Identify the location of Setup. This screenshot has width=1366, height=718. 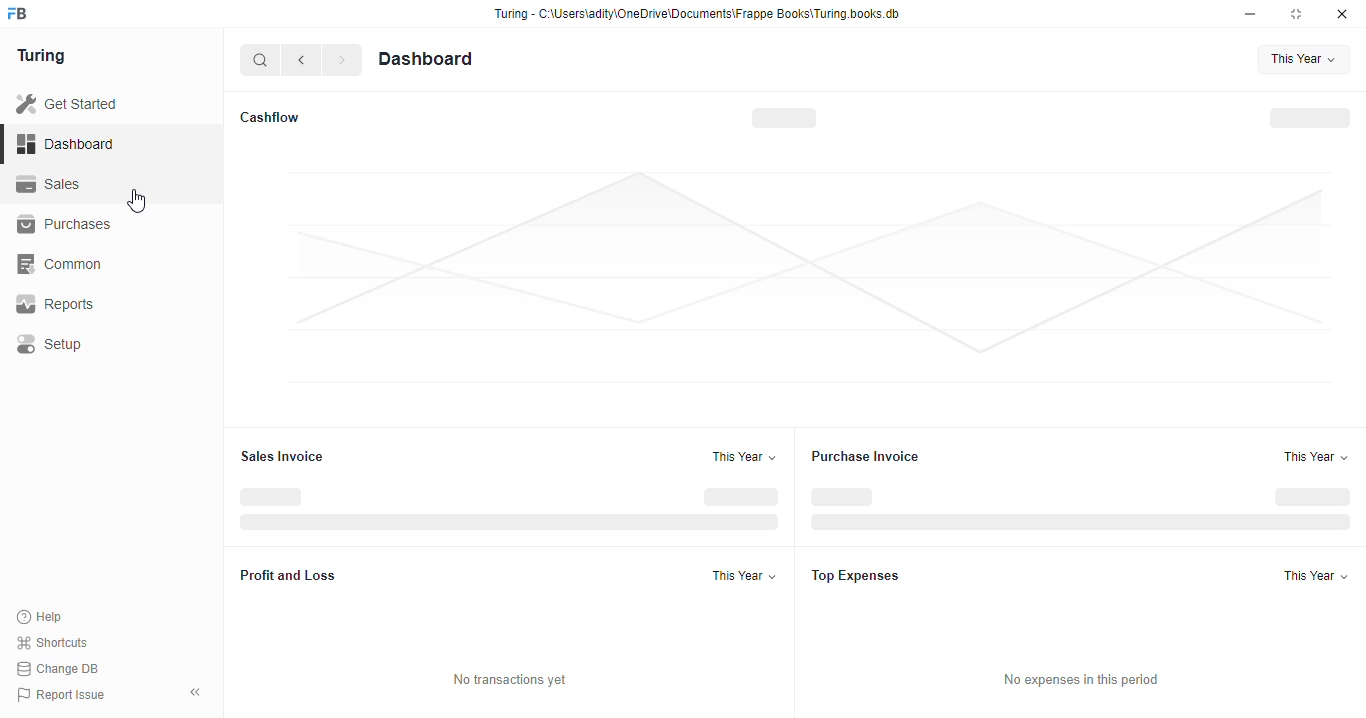
(104, 343).